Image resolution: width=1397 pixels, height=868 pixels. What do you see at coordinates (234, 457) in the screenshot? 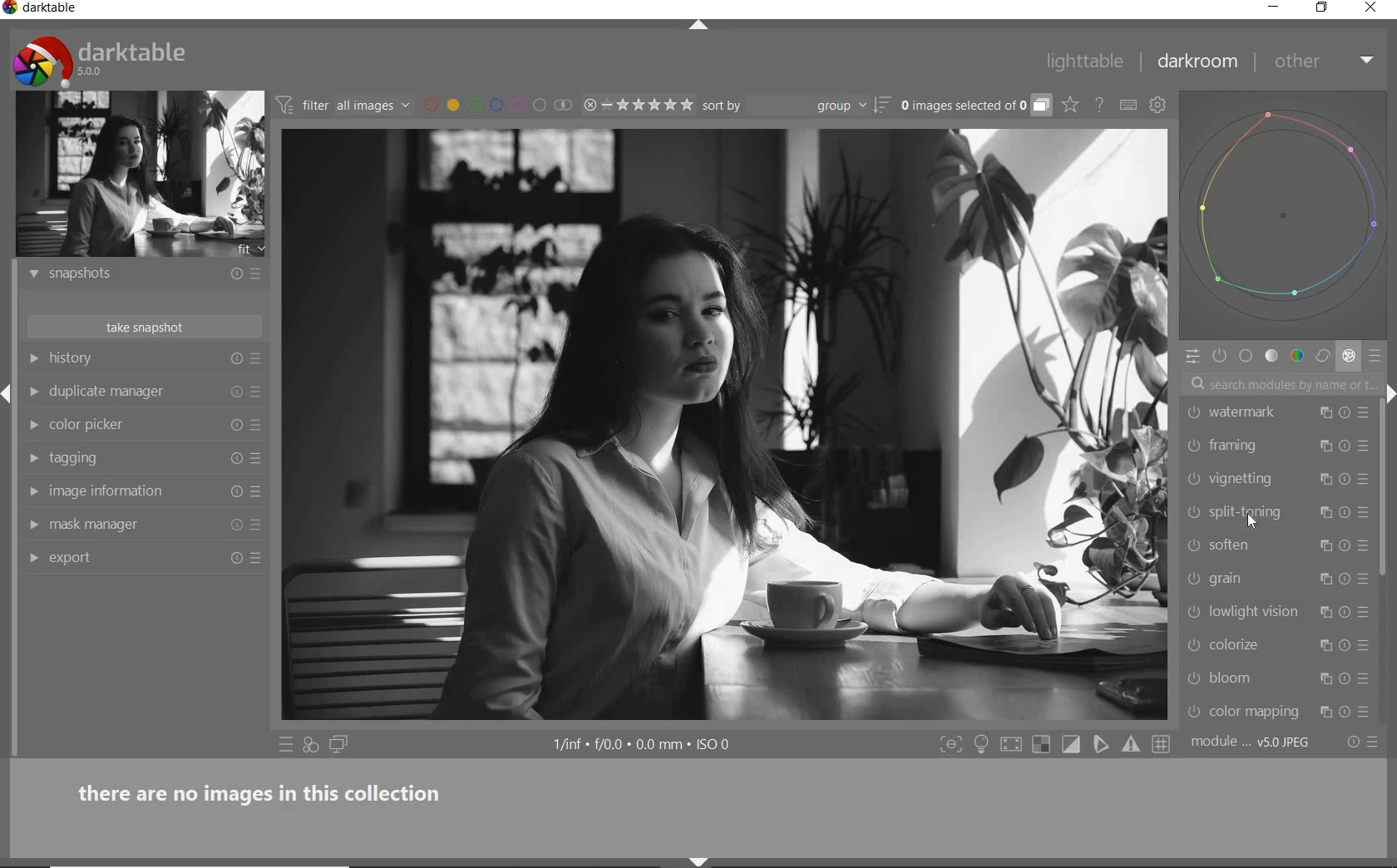
I see `reset` at bounding box center [234, 457].